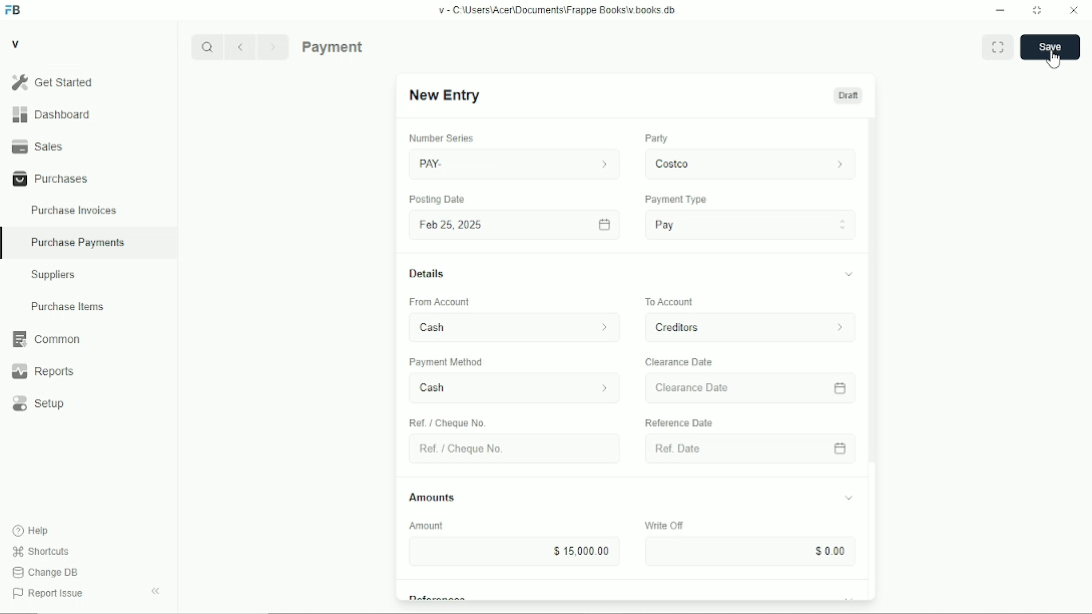 Image resolution: width=1092 pixels, height=614 pixels. What do you see at coordinates (676, 199) in the screenshot?
I see `Payment Type` at bounding box center [676, 199].